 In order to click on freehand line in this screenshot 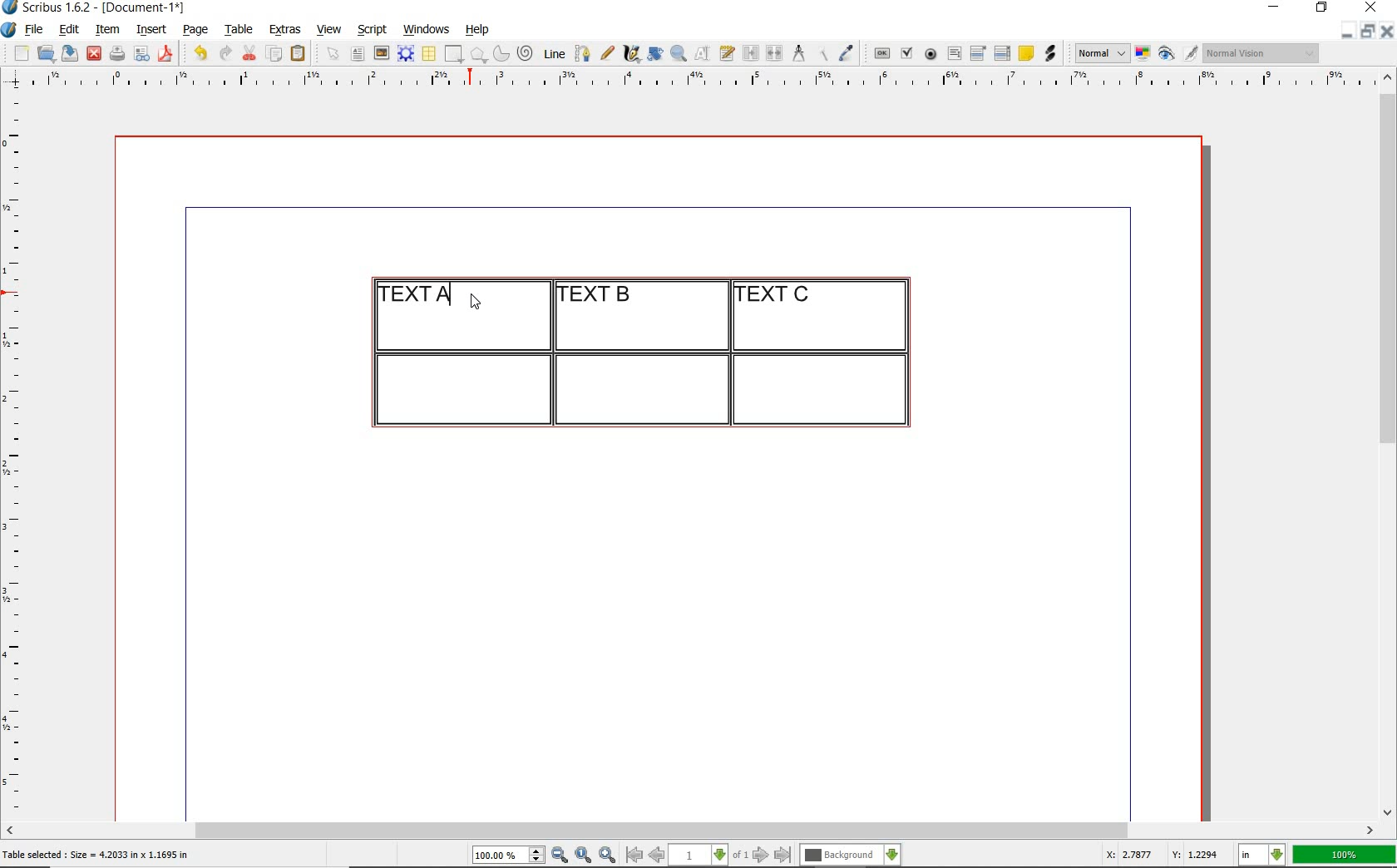, I will do `click(607, 53)`.